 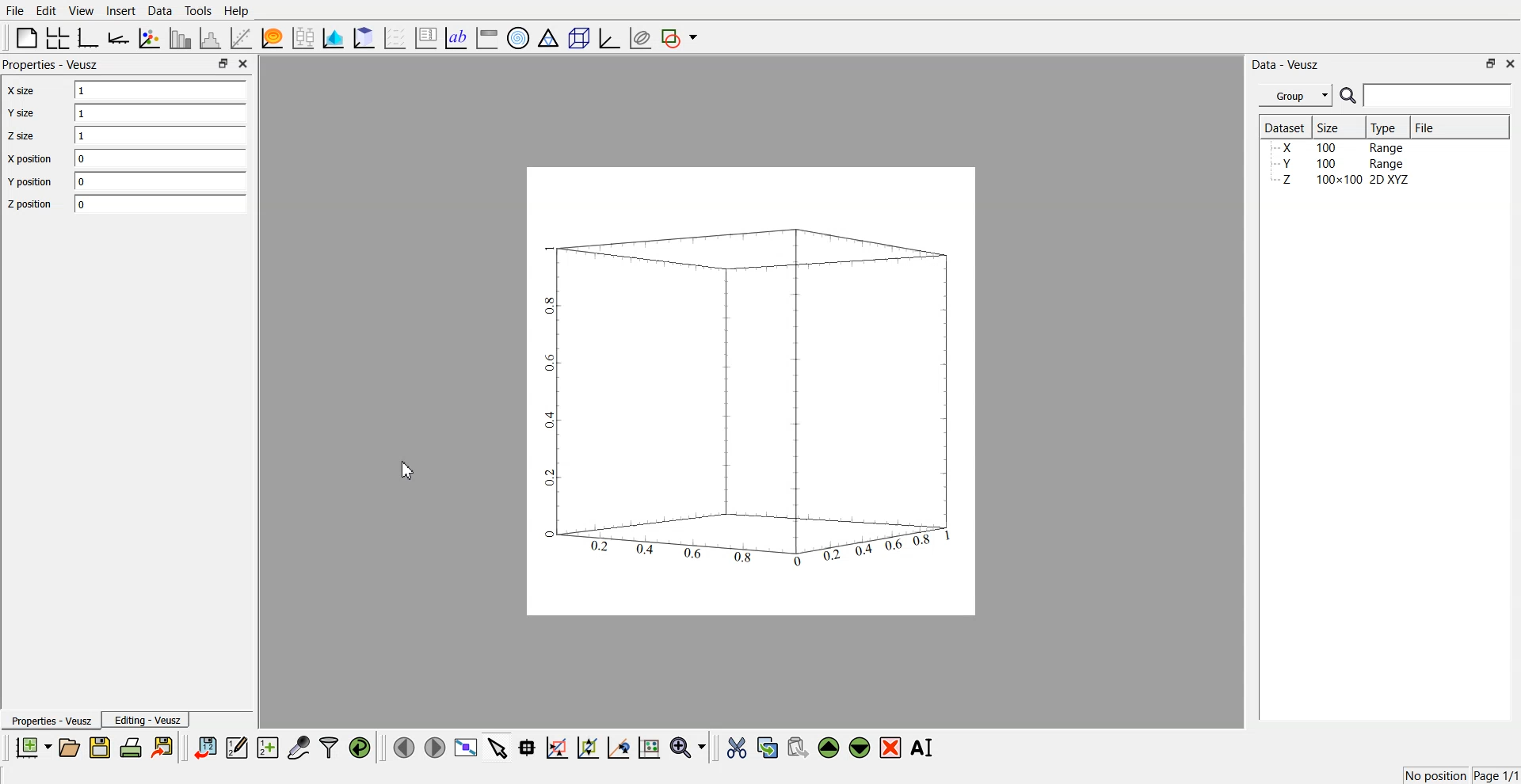 I want to click on Tools, so click(x=199, y=11).